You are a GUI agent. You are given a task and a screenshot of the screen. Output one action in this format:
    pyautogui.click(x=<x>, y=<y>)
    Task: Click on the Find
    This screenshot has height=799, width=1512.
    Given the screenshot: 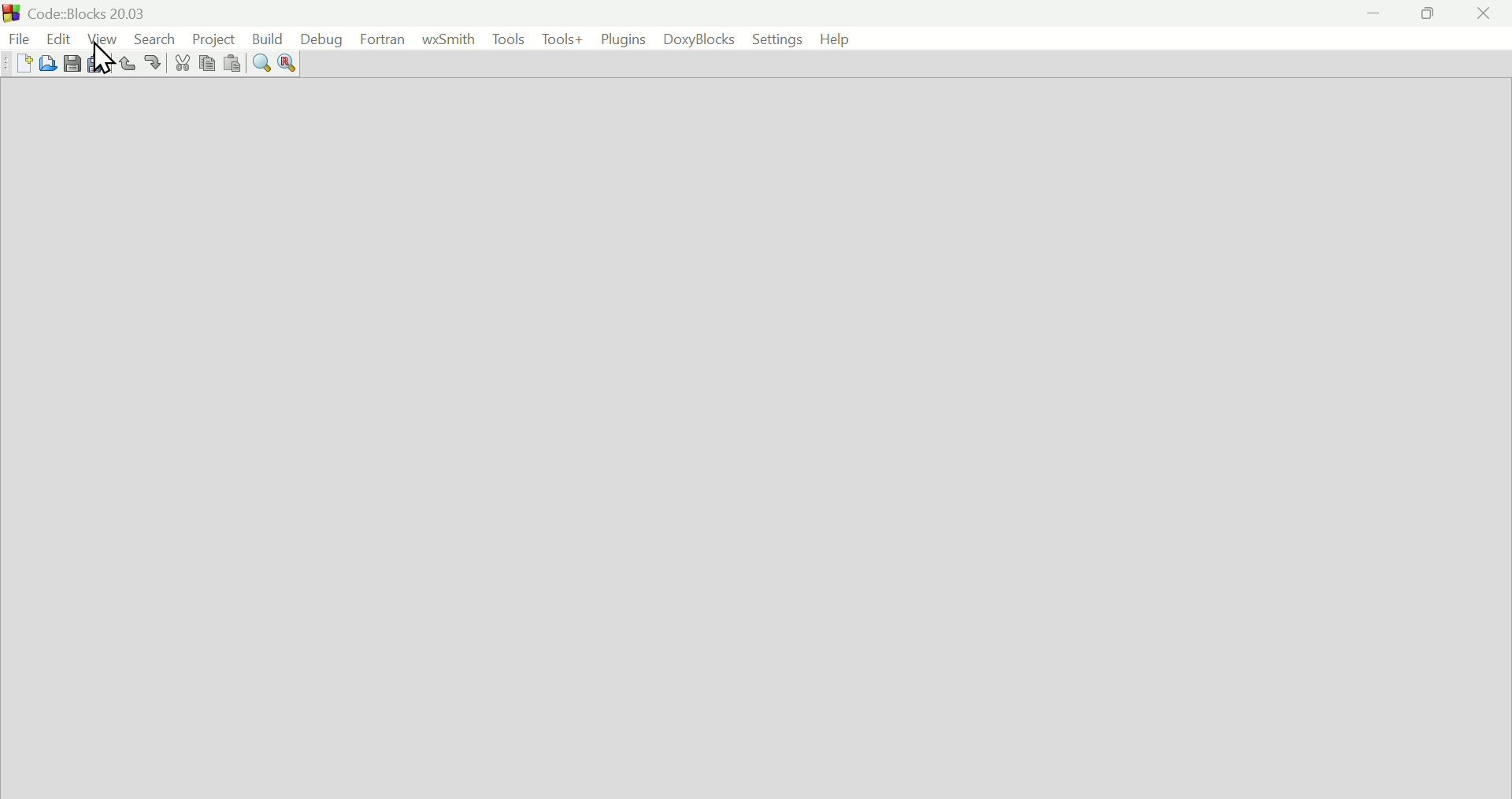 What is the action you would take?
    pyautogui.click(x=261, y=64)
    